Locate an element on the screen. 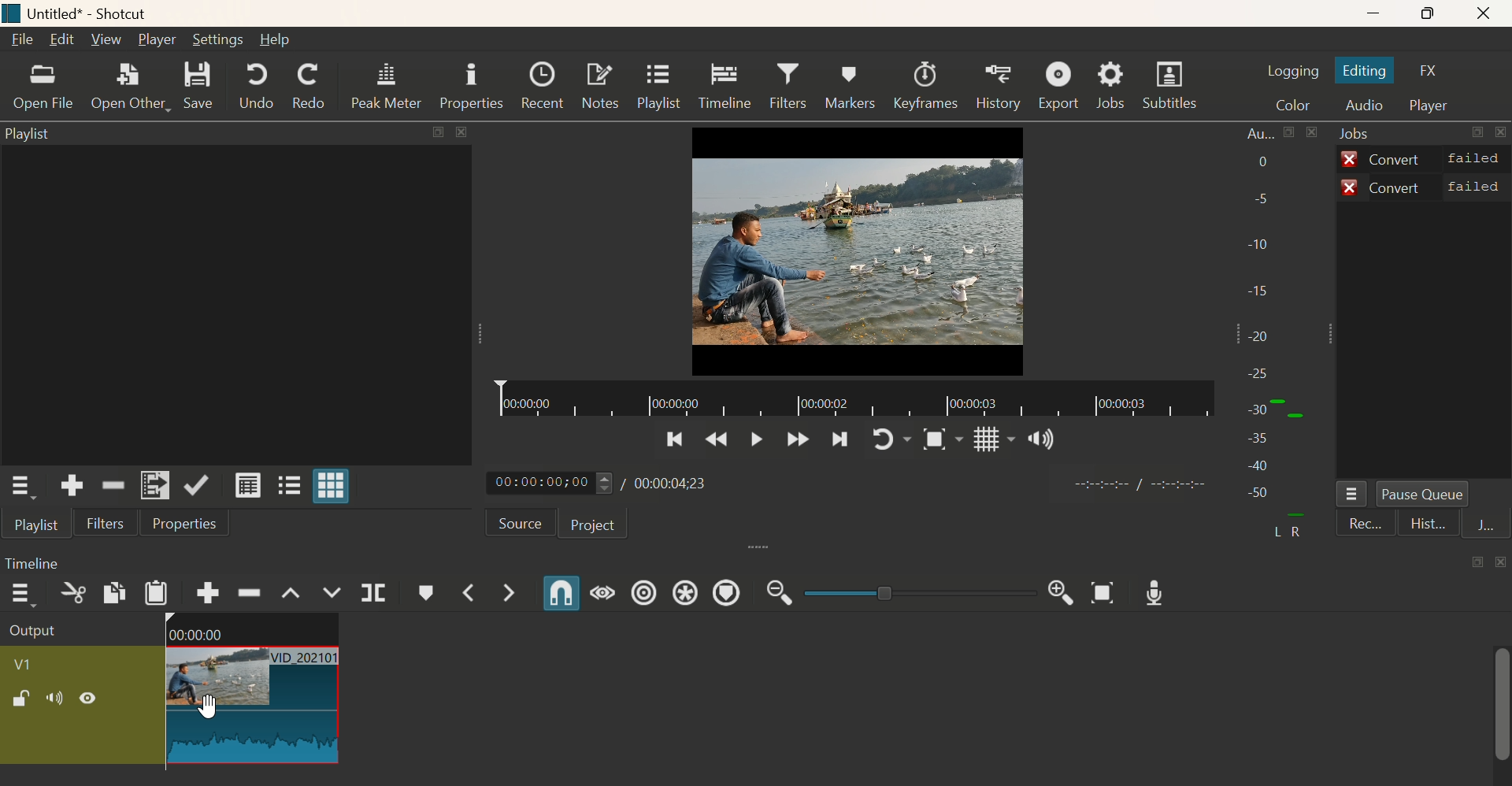  Forward is located at coordinates (795, 440).